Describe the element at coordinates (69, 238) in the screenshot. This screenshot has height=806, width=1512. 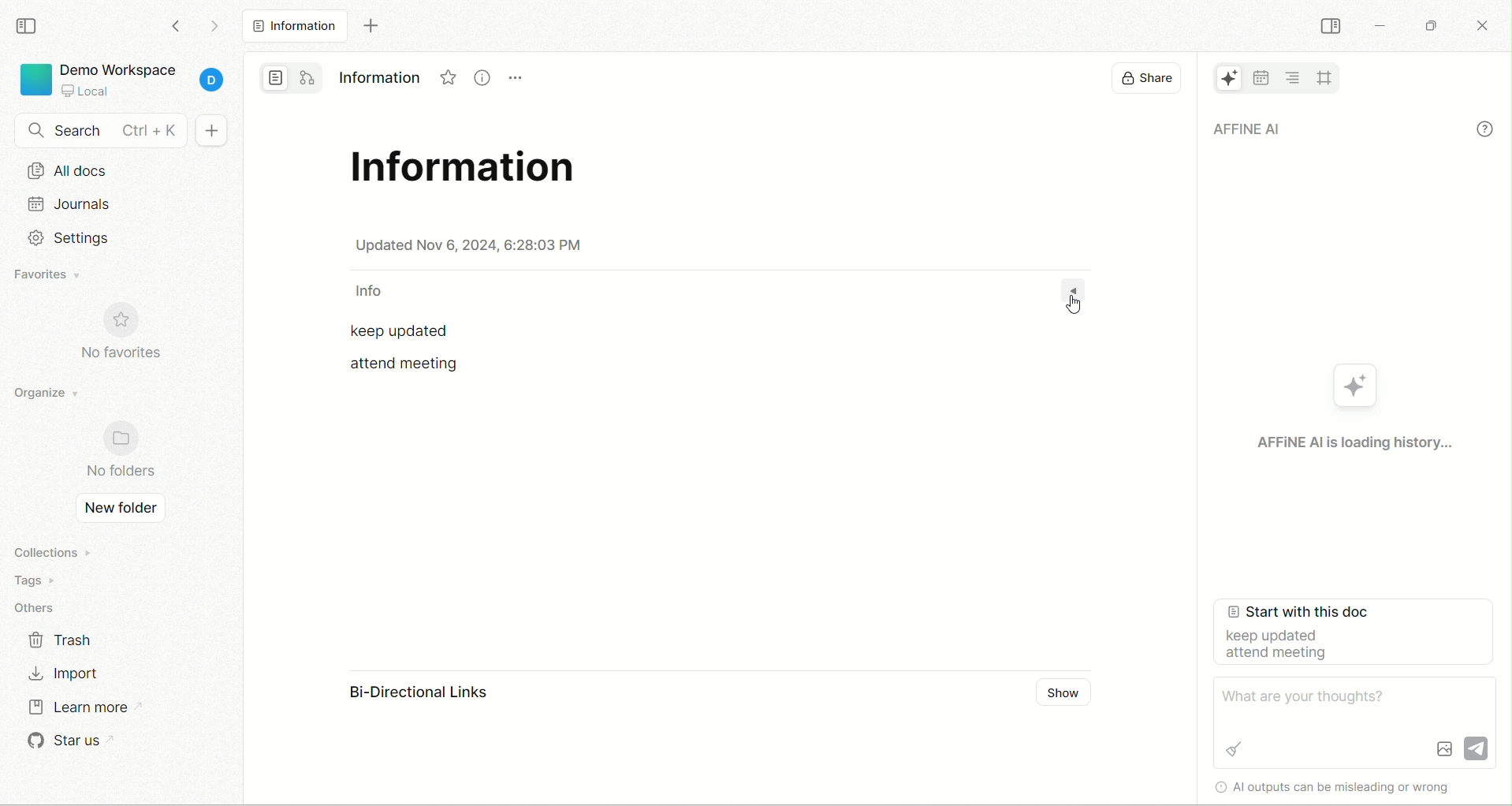
I see `Setting` at that location.